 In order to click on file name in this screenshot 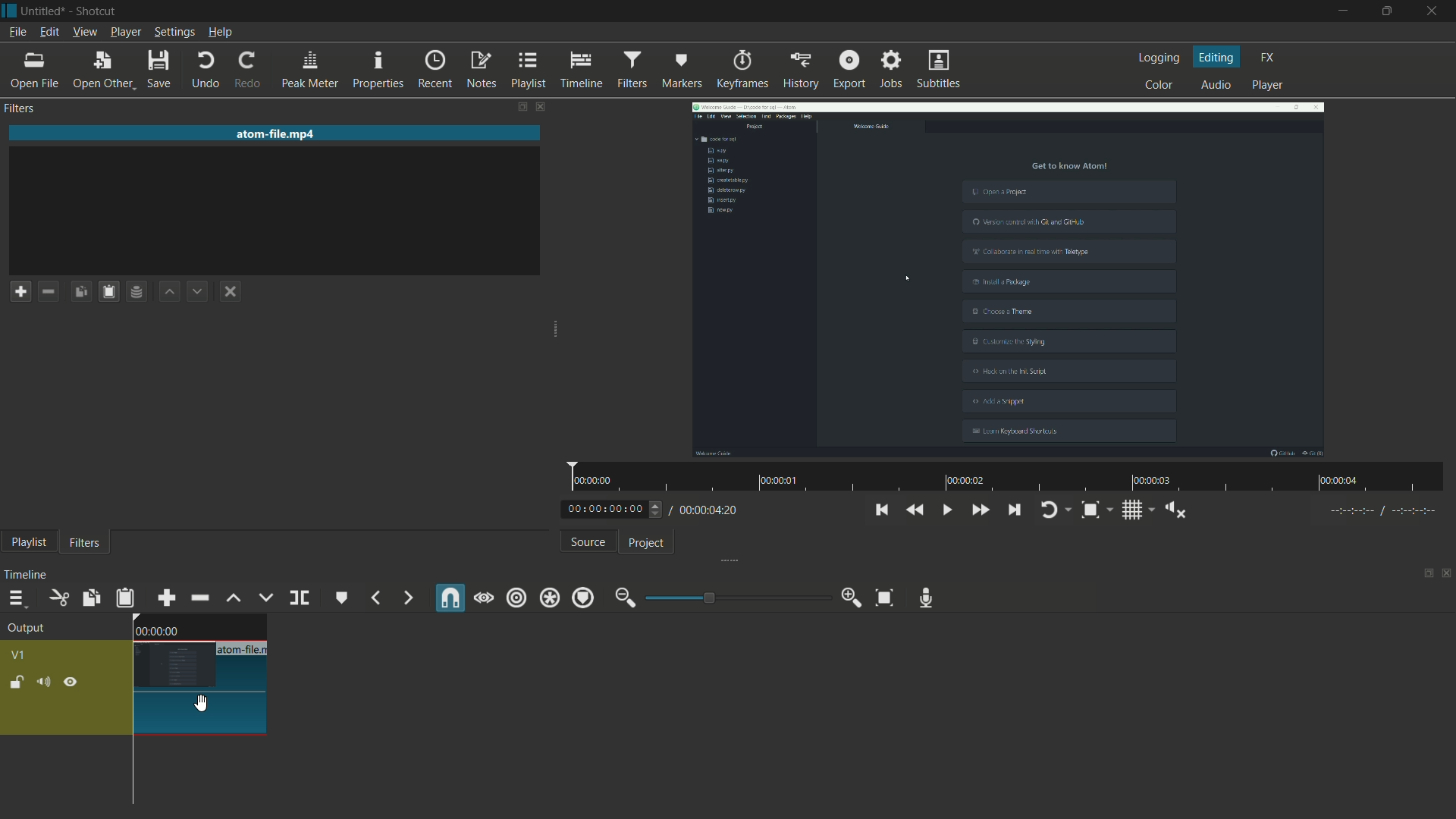, I will do `click(278, 134)`.